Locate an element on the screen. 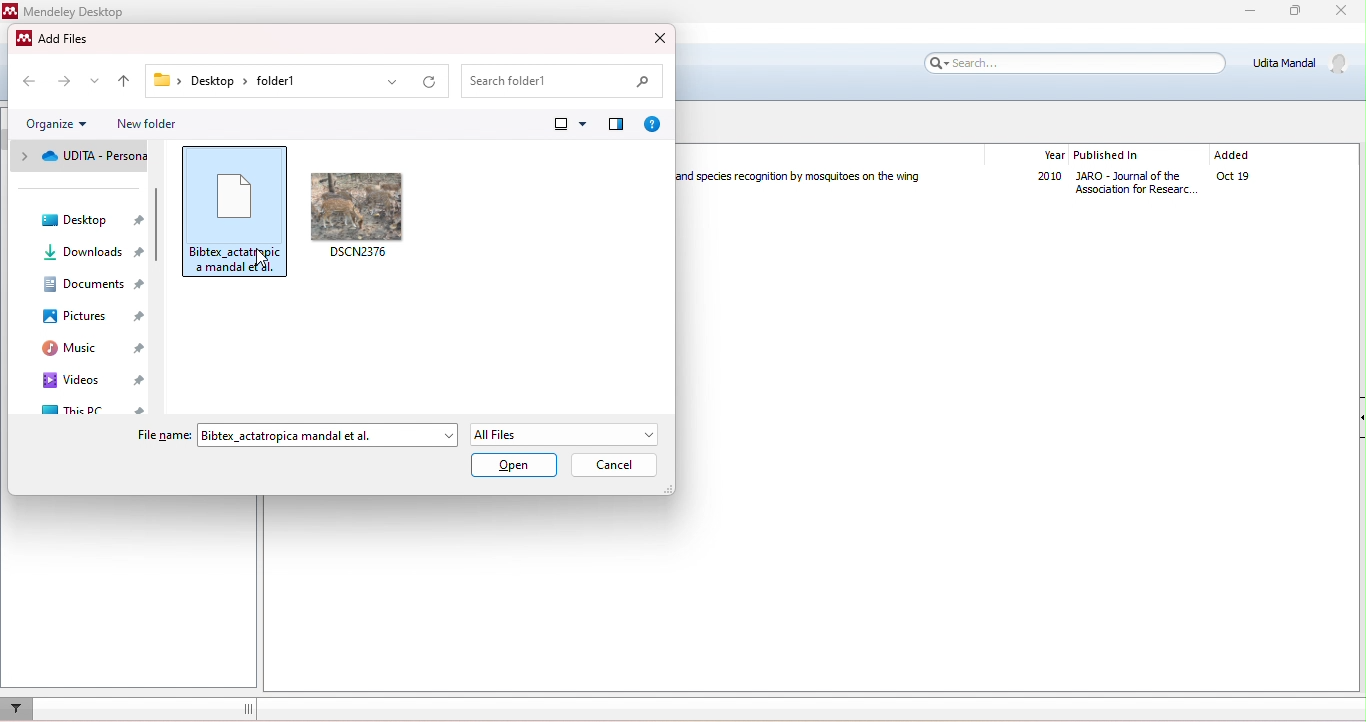  Journal of Association for Research in Otolaryngology The is located at coordinates (1136, 183).